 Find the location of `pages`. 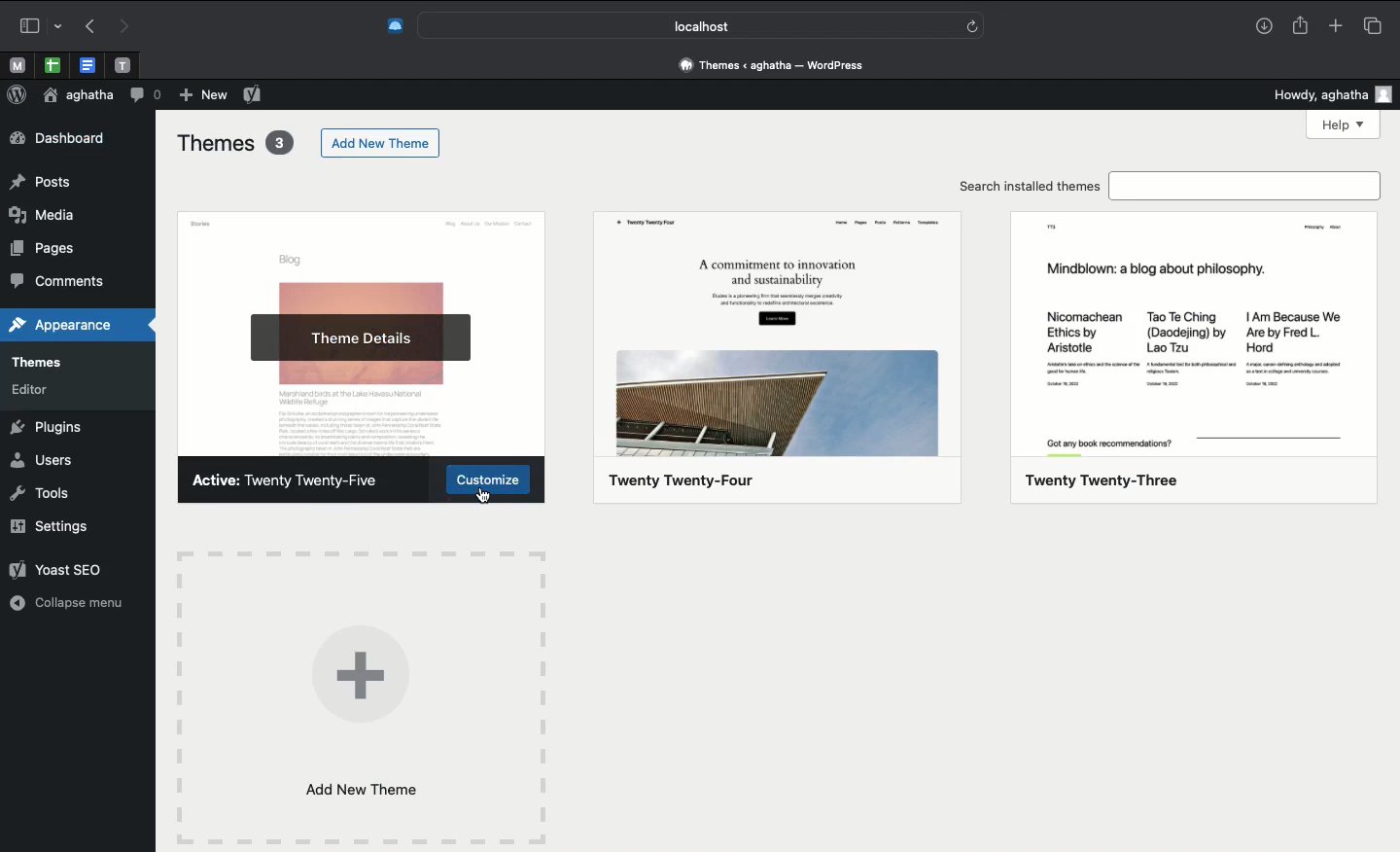

pages is located at coordinates (37, 251).